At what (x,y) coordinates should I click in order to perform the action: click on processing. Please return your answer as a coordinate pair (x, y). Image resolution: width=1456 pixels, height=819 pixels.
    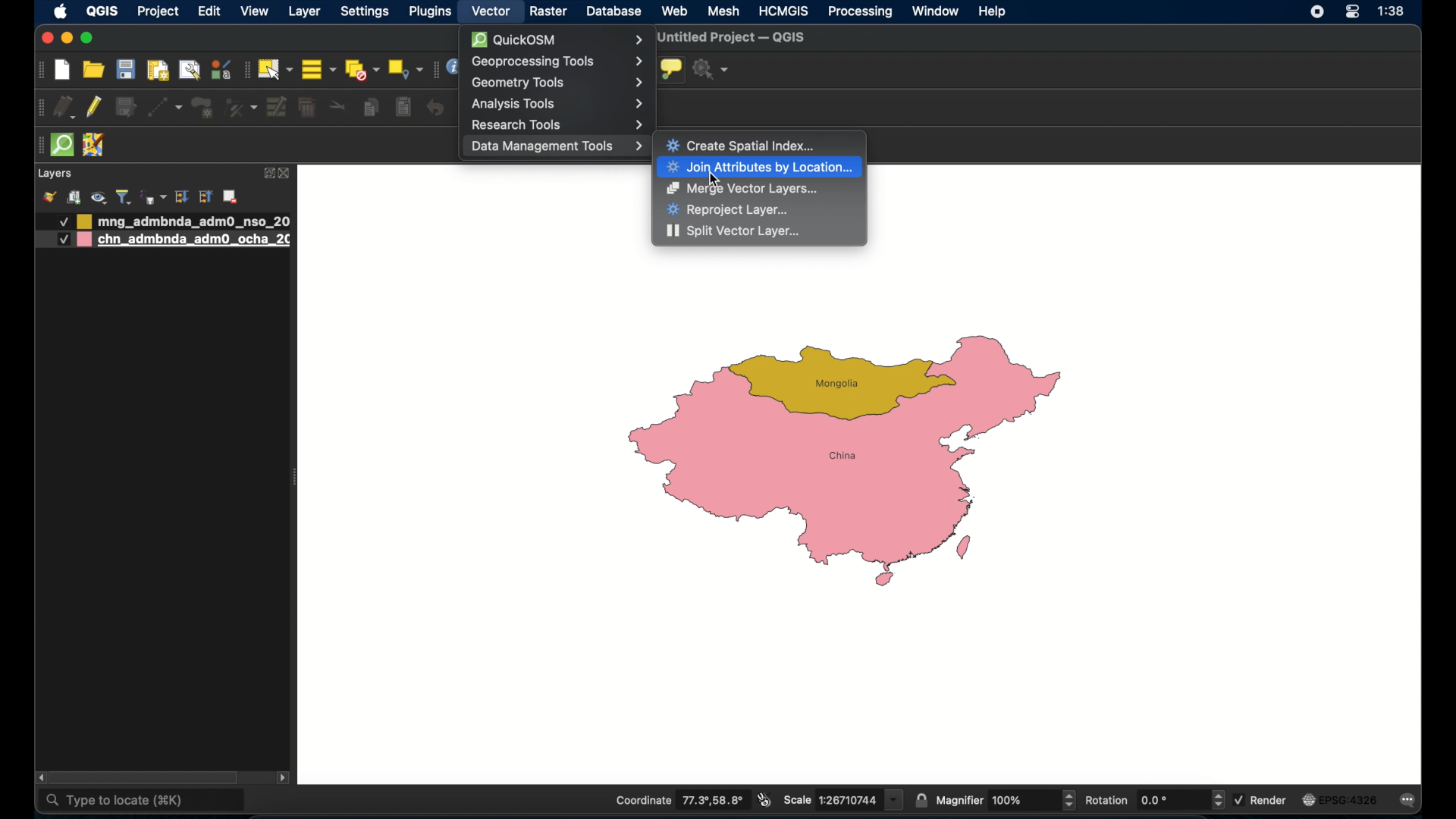
    Looking at the image, I should click on (861, 13).